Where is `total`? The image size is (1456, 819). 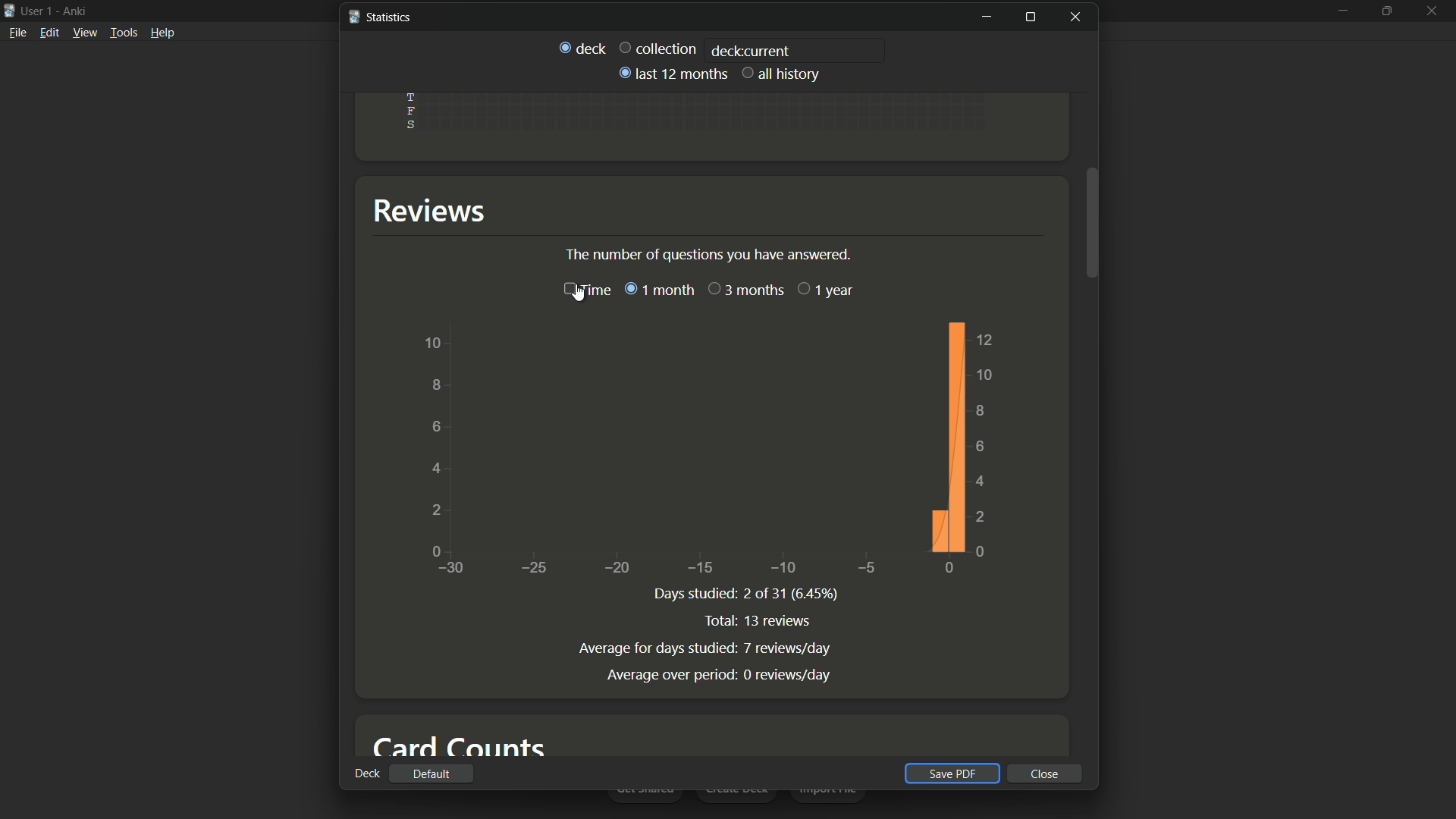
total is located at coordinates (720, 622).